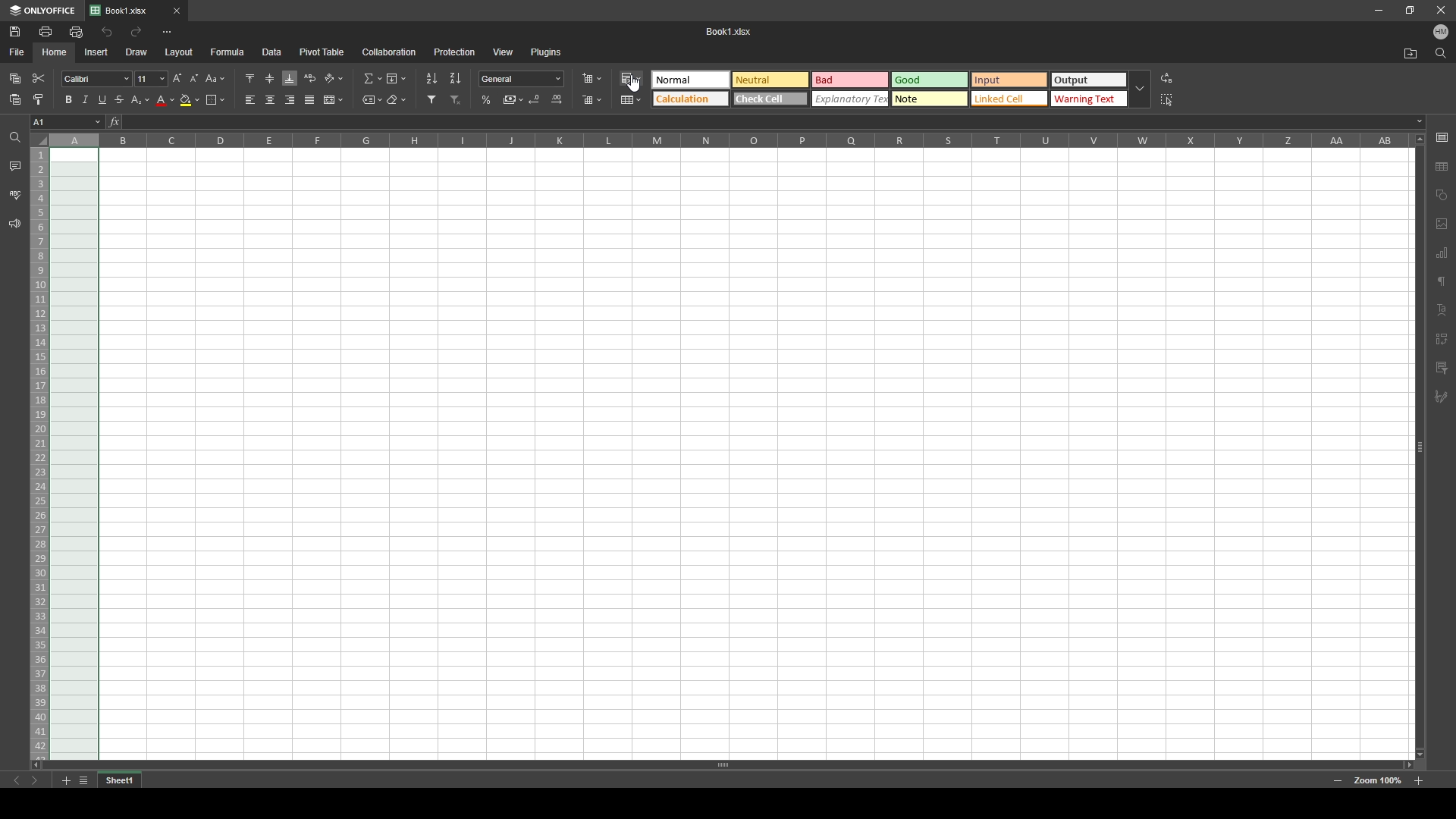 This screenshot has width=1456, height=819. Describe the element at coordinates (1444, 253) in the screenshot. I see `charts` at that location.